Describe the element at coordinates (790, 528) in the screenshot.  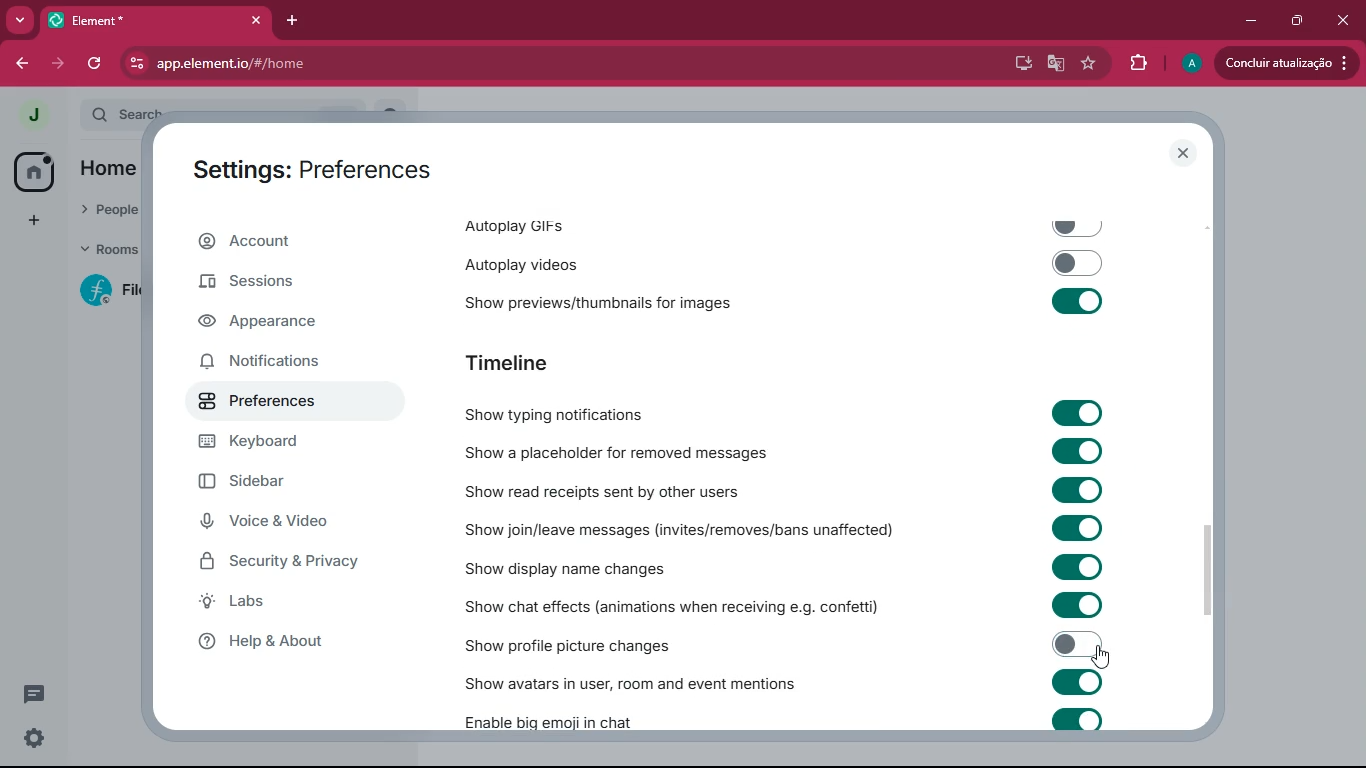
I see `Show join/leave messages (invites/removes/bans unaffected)` at that location.